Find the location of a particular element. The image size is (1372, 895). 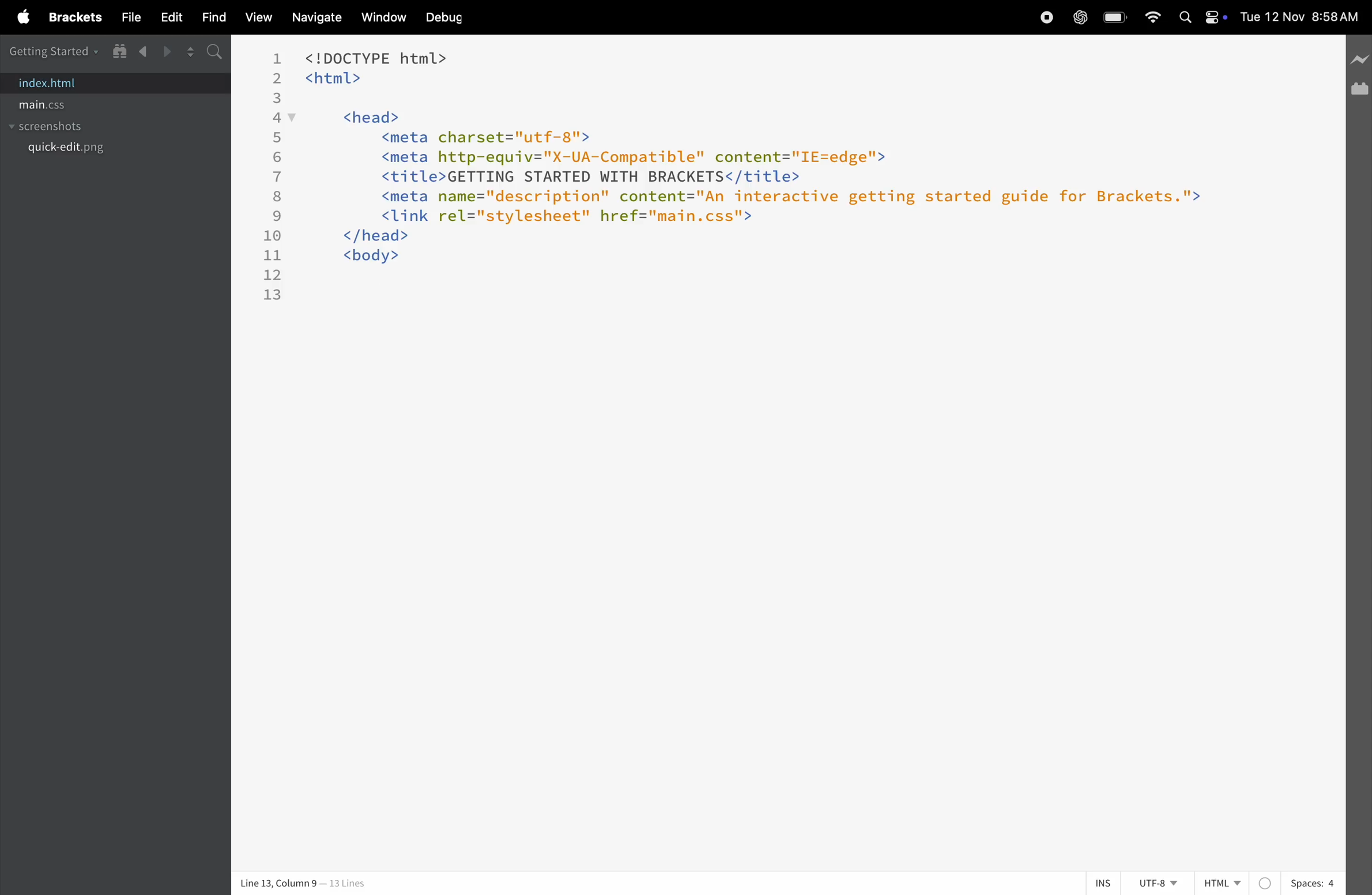

navigate is located at coordinates (316, 18).